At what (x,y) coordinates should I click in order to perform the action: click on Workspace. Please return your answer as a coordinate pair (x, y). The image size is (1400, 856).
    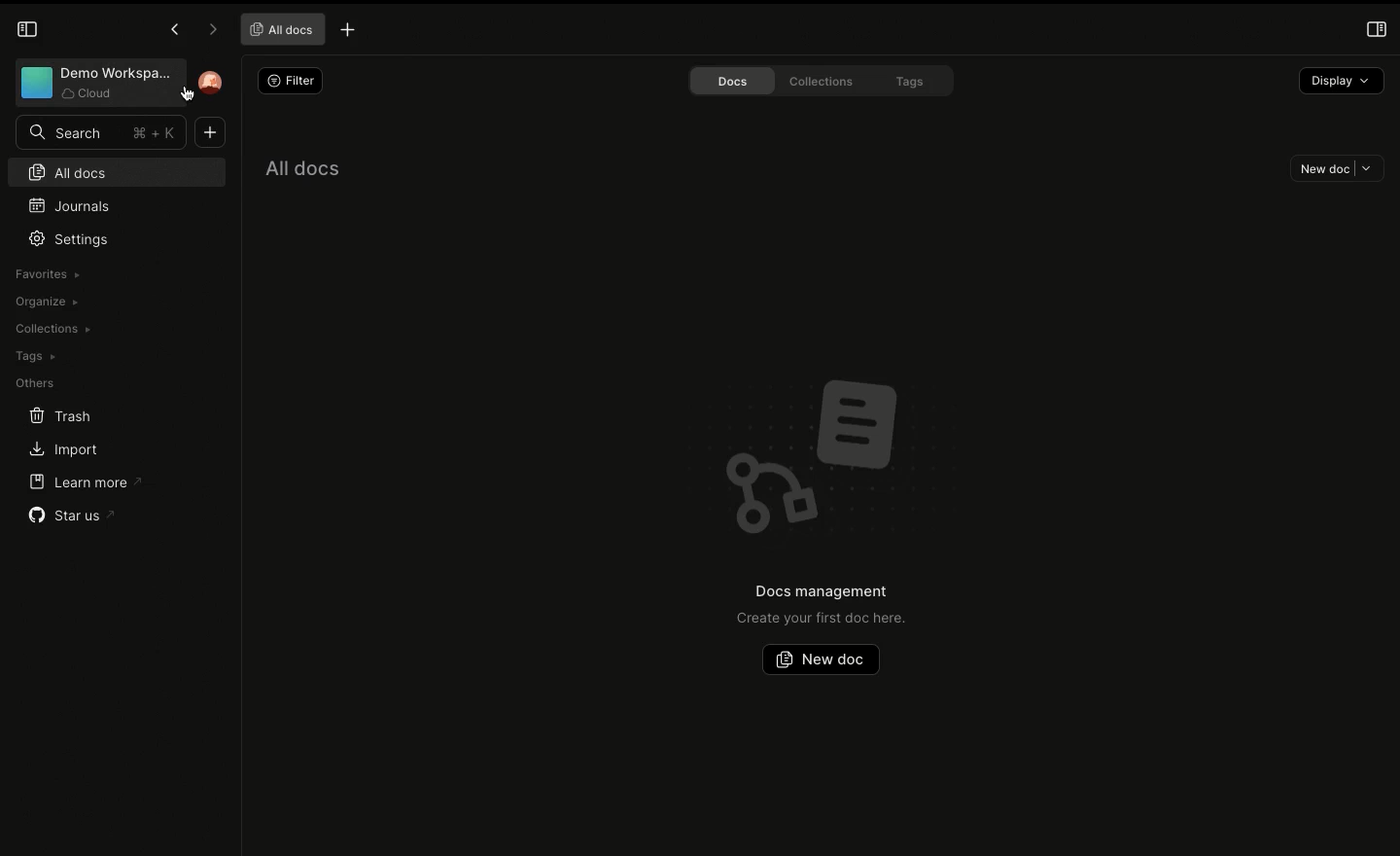
    Looking at the image, I should click on (95, 83).